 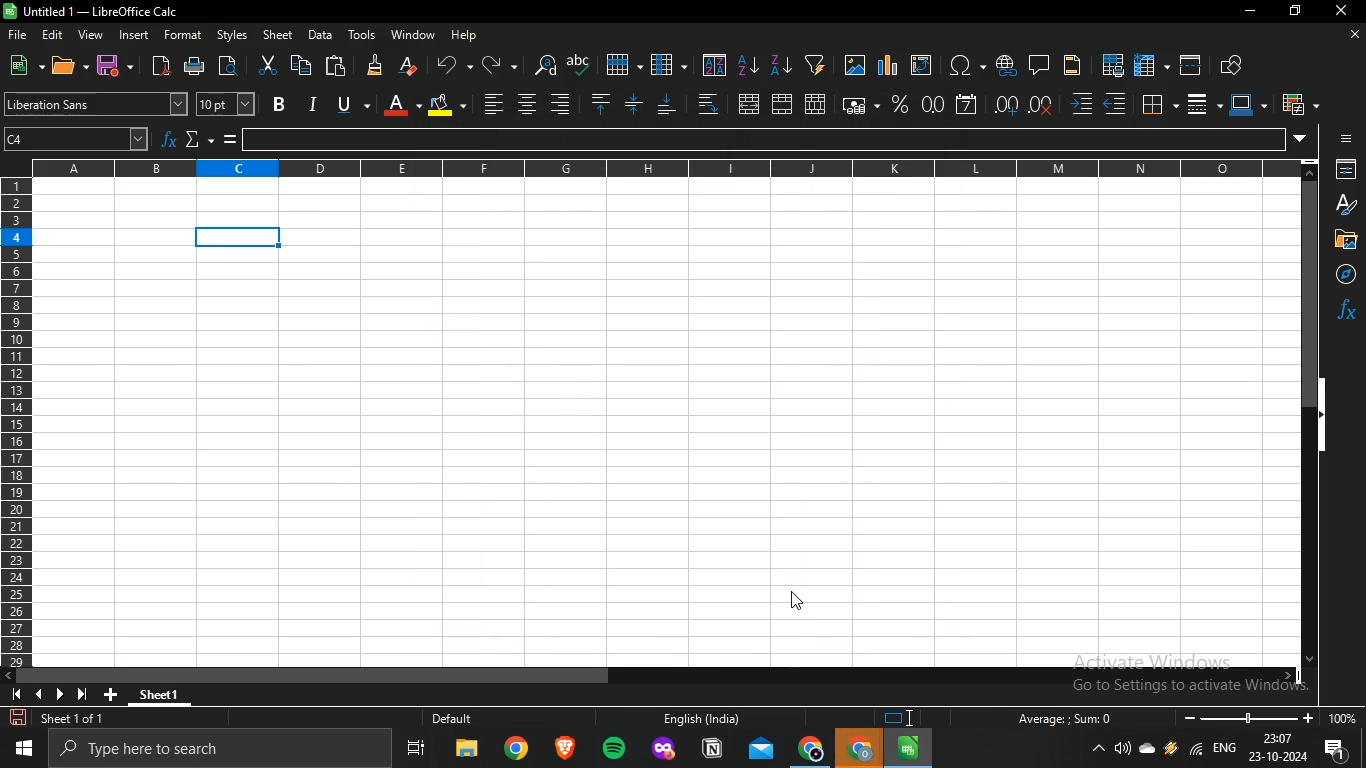 What do you see at coordinates (280, 104) in the screenshot?
I see `bold` at bounding box center [280, 104].